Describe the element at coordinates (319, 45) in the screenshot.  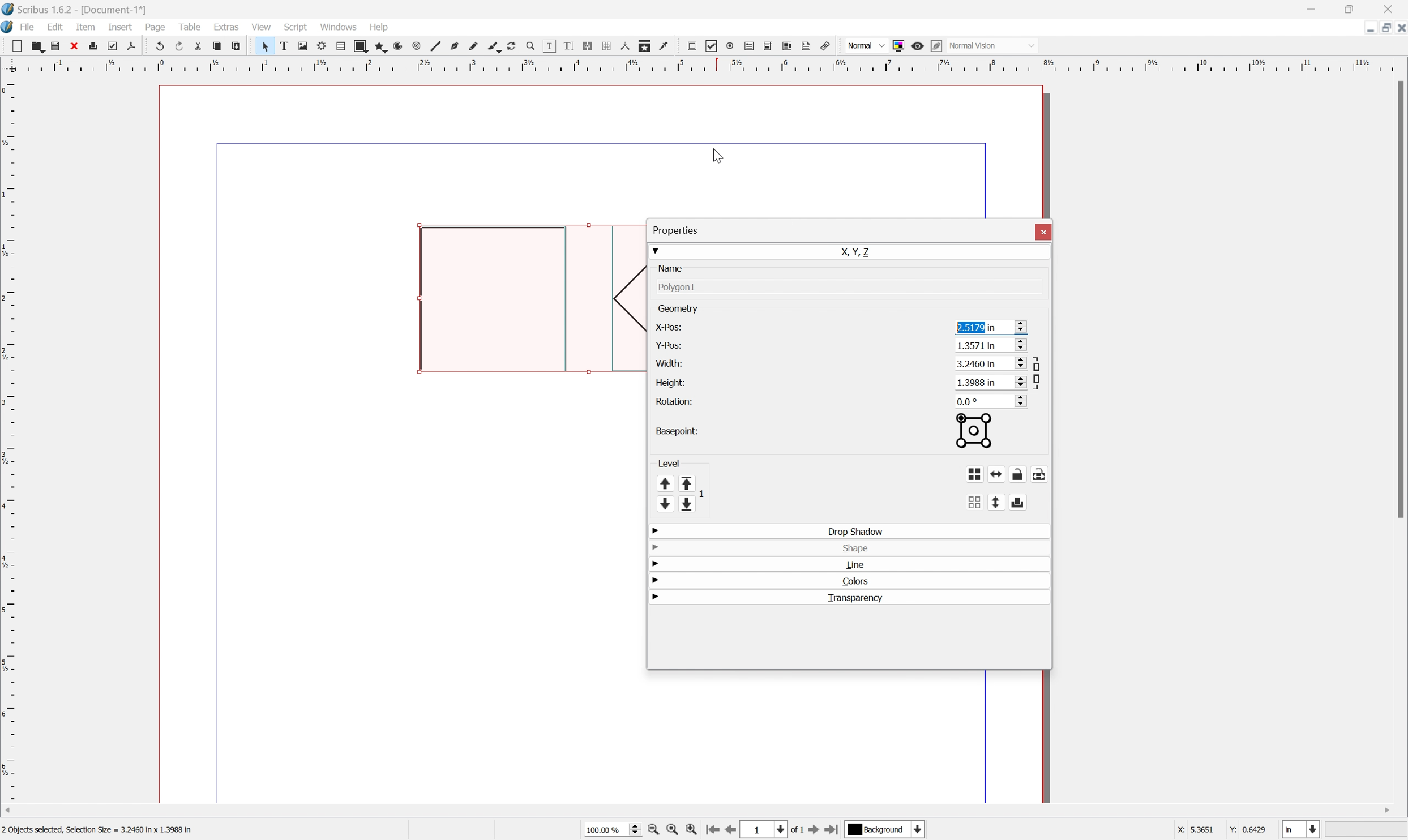
I see `render frame` at that location.